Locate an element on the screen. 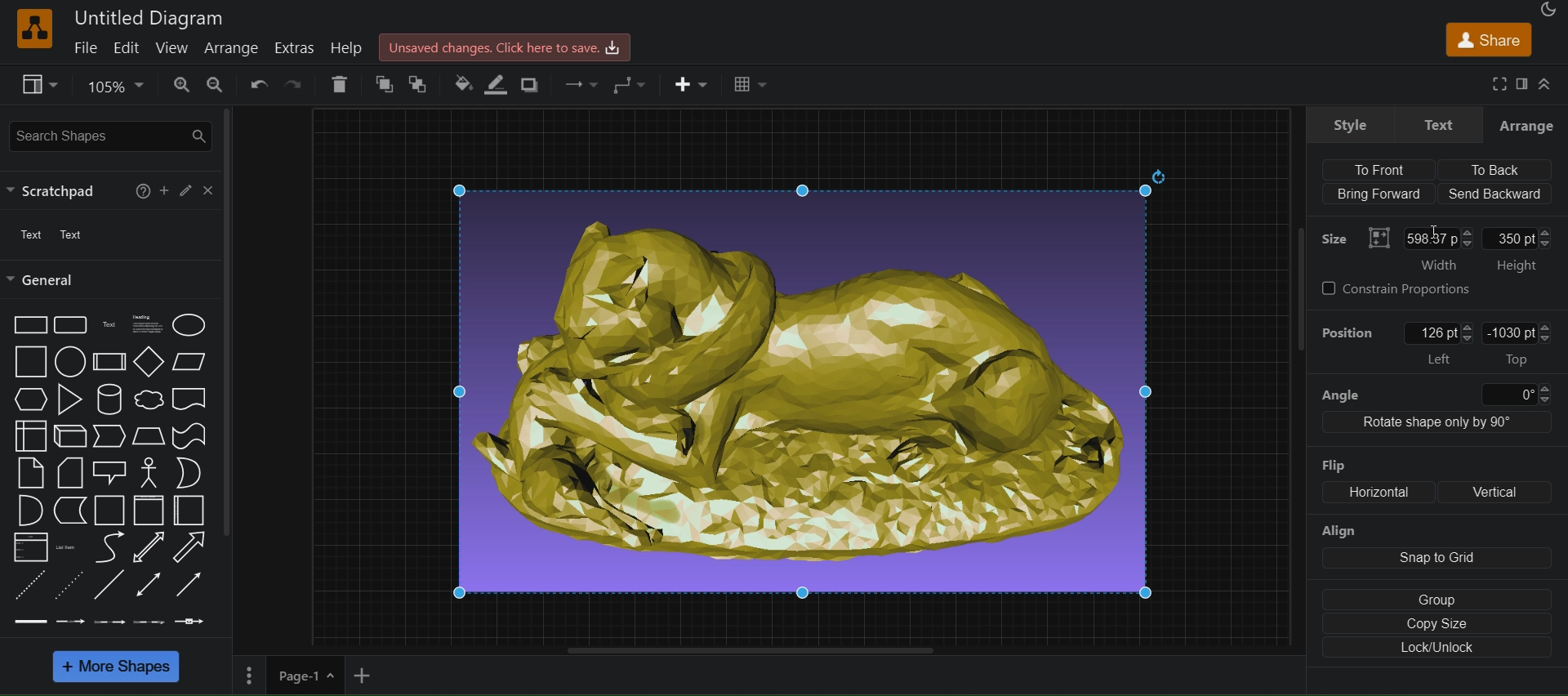 The height and width of the screenshot is (696, 1568). Size is located at coordinates (1333, 239).